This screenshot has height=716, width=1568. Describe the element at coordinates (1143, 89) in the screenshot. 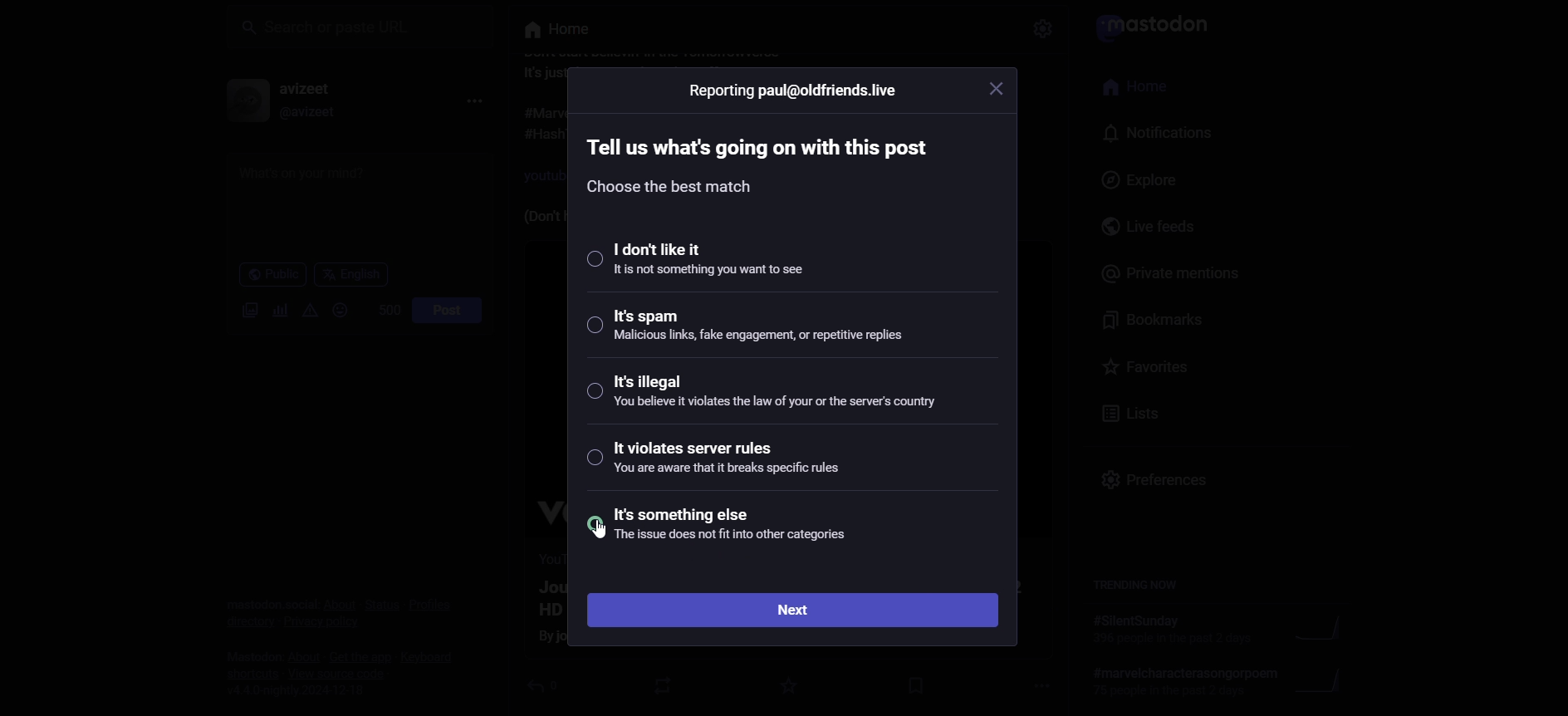

I see `home` at that location.